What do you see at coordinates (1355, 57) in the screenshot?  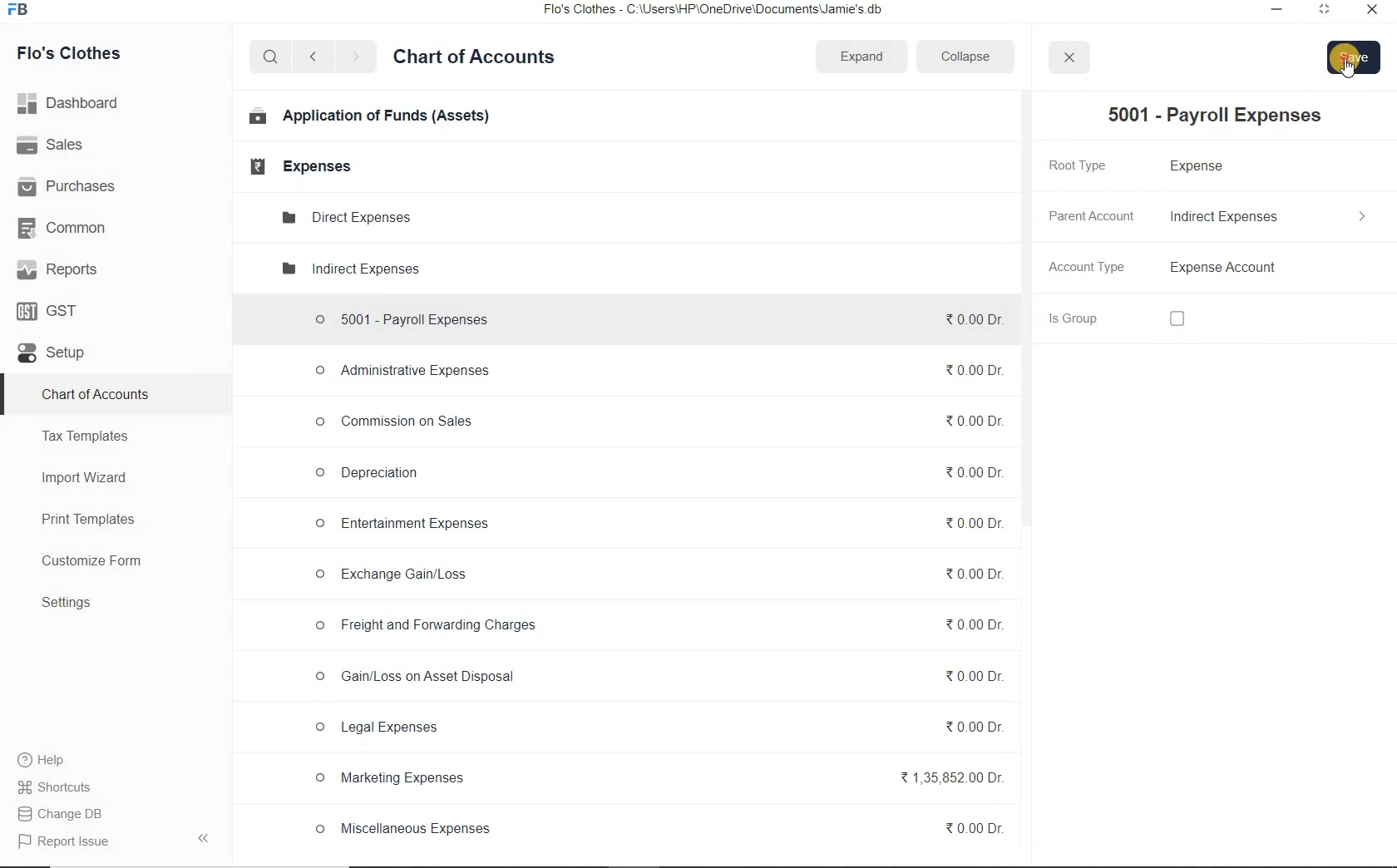 I see `save` at bounding box center [1355, 57].